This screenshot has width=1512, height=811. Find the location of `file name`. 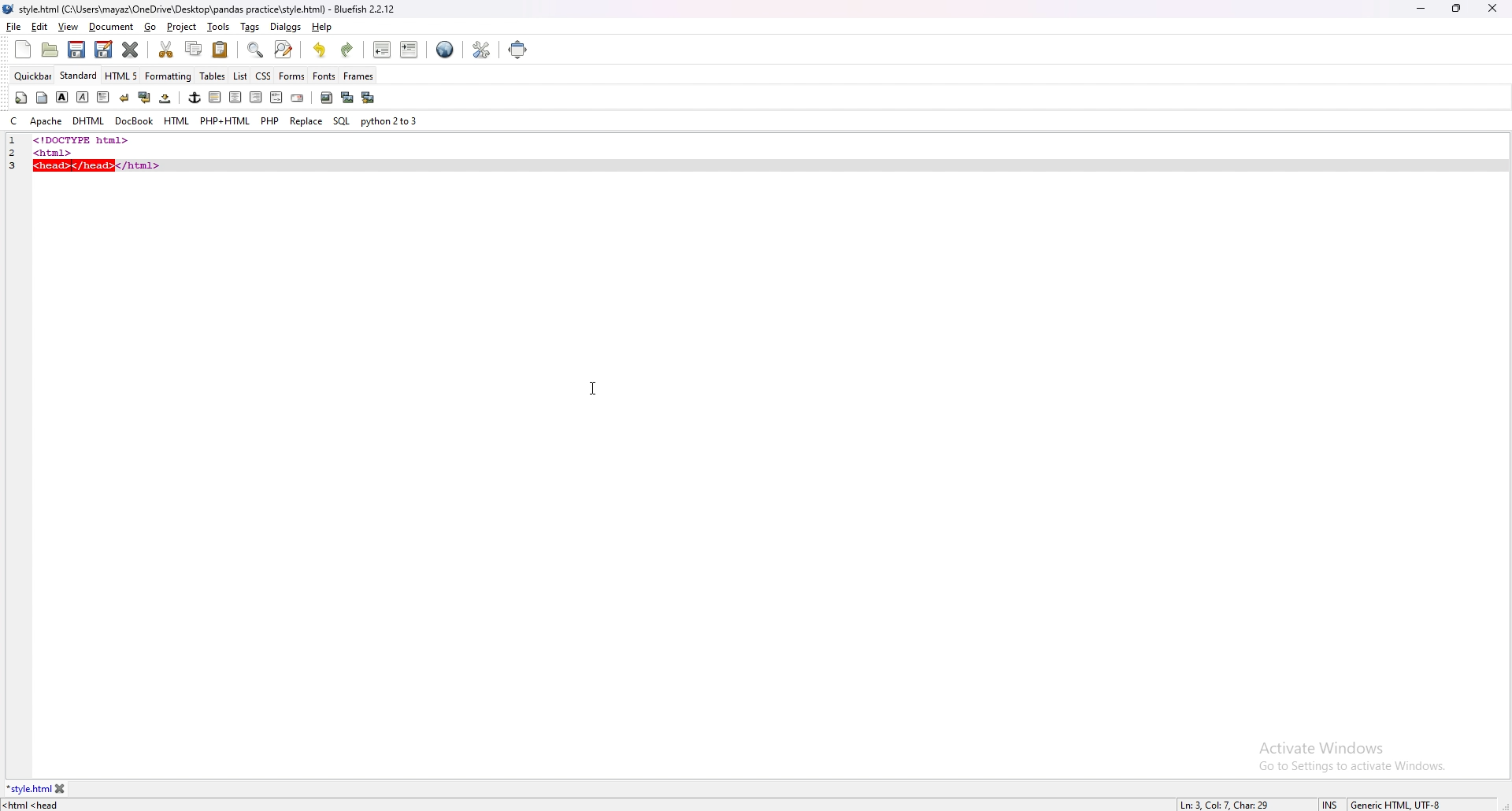

file name is located at coordinates (202, 10).